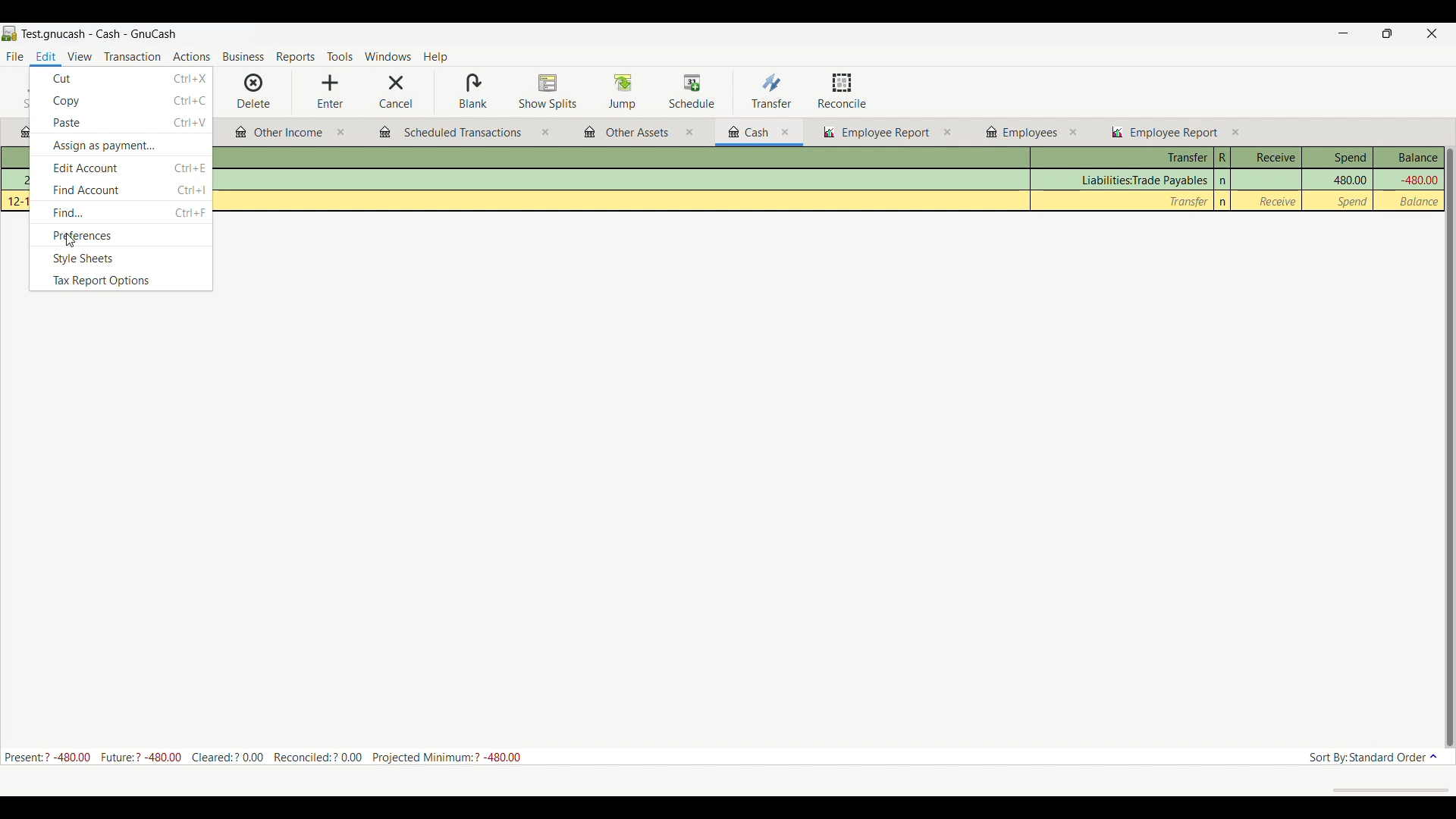  Describe the element at coordinates (45, 58) in the screenshot. I see `Highlighted as current selection` at that location.